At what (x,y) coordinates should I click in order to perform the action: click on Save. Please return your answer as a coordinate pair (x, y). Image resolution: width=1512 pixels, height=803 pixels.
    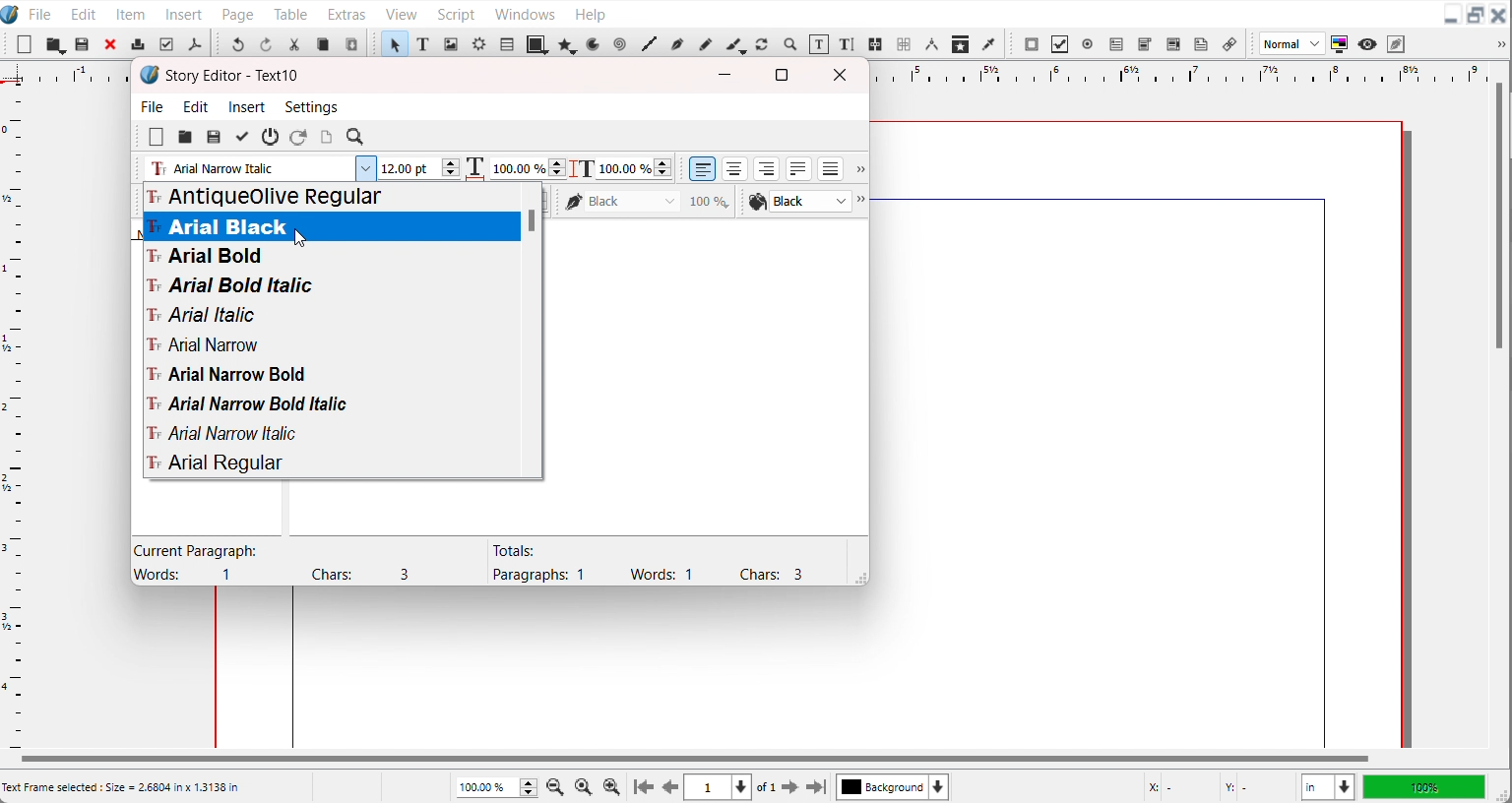
    Looking at the image, I should click on (55, 44).